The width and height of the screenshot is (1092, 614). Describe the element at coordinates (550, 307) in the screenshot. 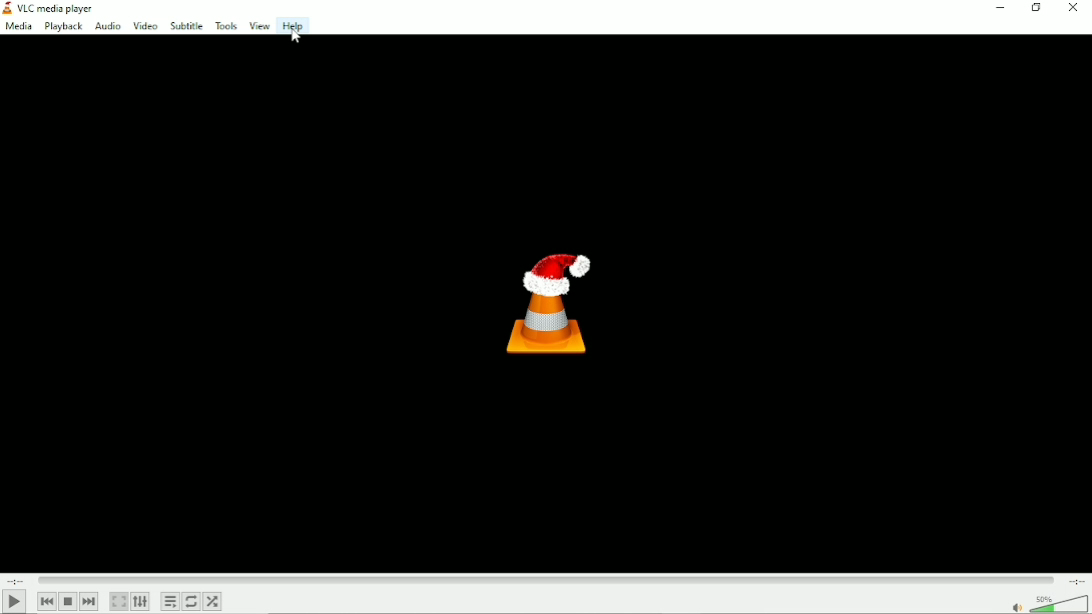

I see `Logo` at that location.